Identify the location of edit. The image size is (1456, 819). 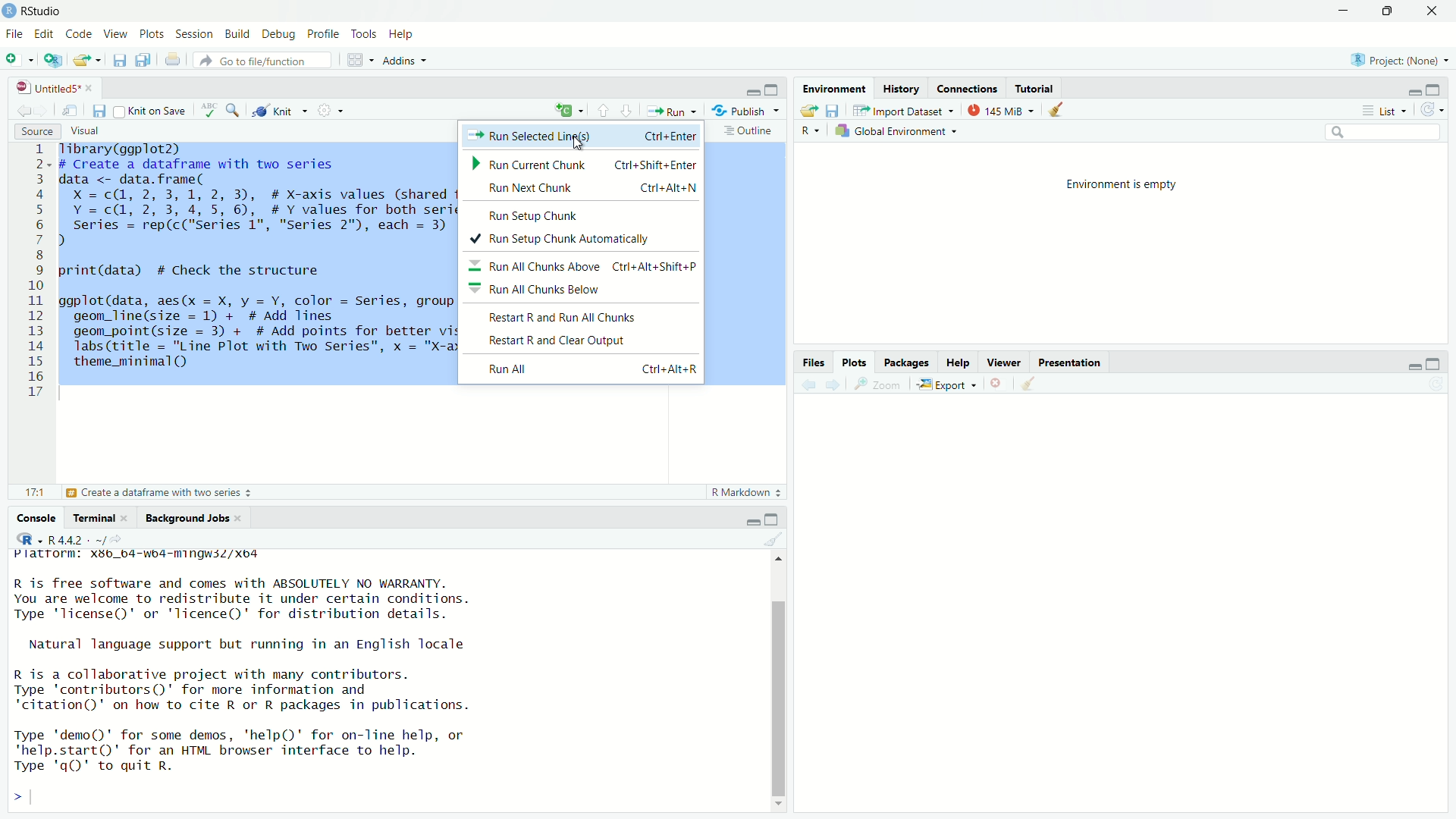
(45, 36).